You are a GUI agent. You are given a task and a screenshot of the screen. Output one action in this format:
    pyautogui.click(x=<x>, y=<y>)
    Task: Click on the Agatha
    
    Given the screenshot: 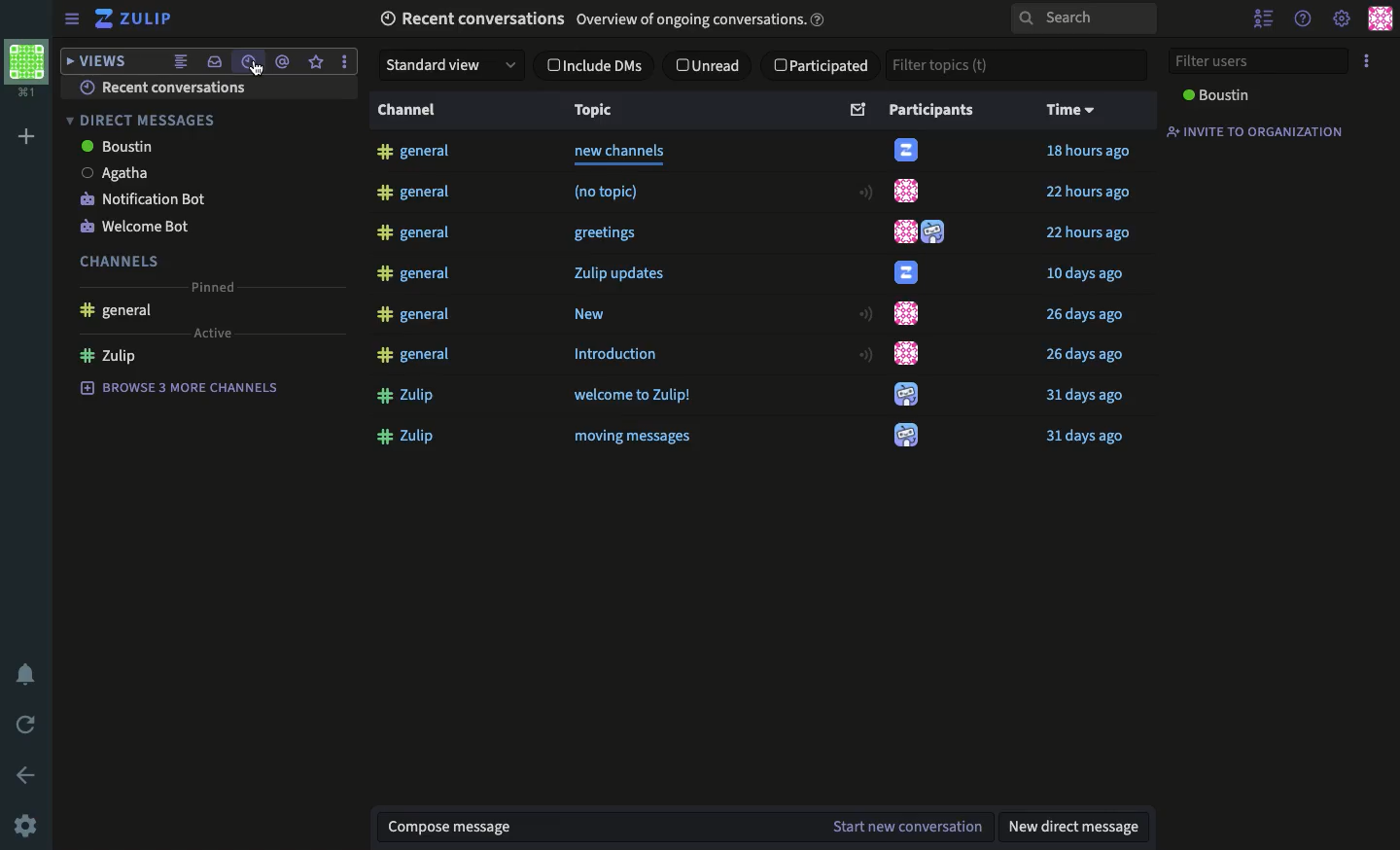 What is the action you would take?
    pyautogui.click(x=111, y=172)
    